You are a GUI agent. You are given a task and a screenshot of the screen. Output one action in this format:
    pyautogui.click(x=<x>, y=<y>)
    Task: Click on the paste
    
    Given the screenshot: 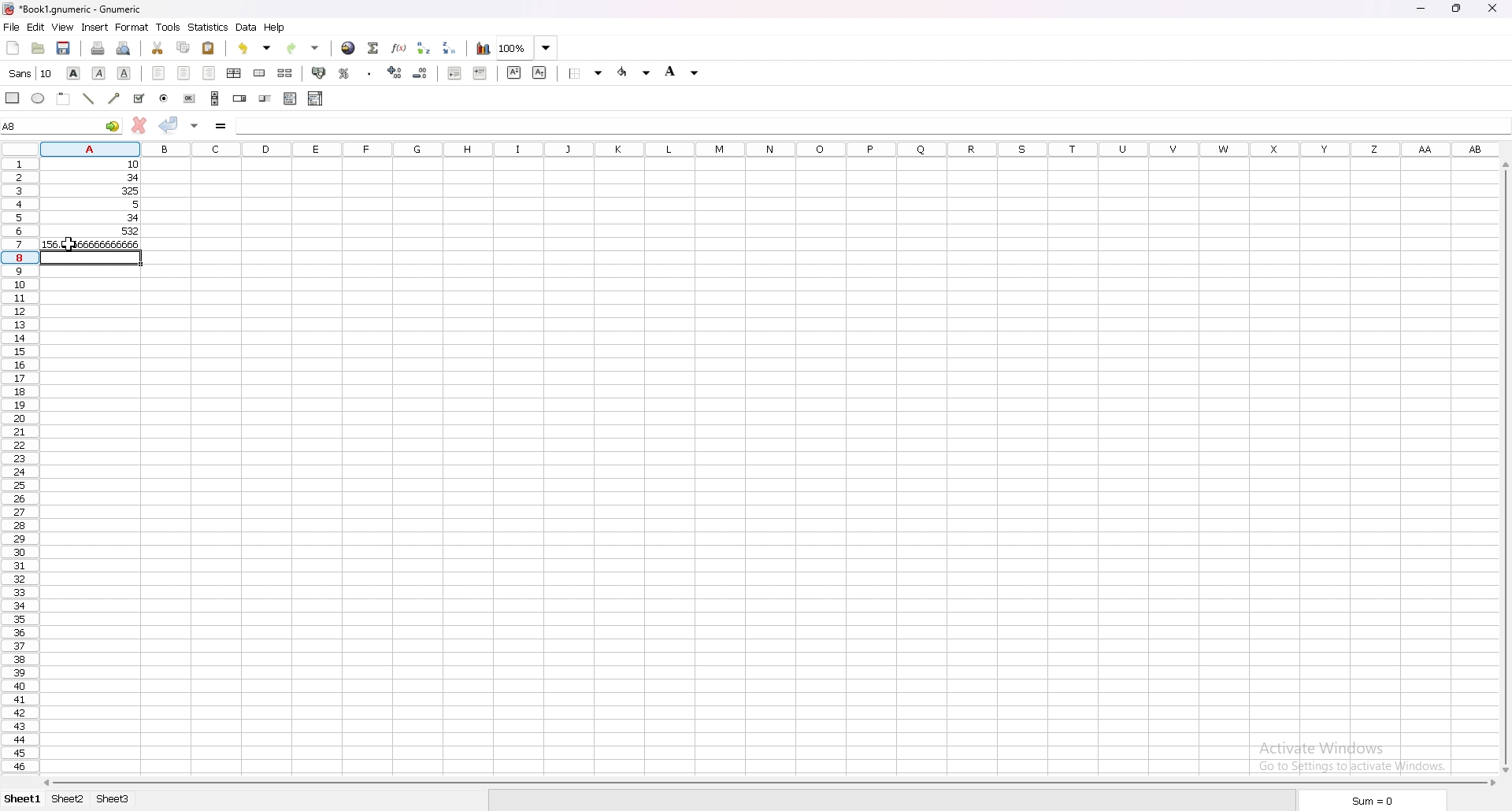 What is the action you would take?
    pyautogui.click(x=209, y=47)
    